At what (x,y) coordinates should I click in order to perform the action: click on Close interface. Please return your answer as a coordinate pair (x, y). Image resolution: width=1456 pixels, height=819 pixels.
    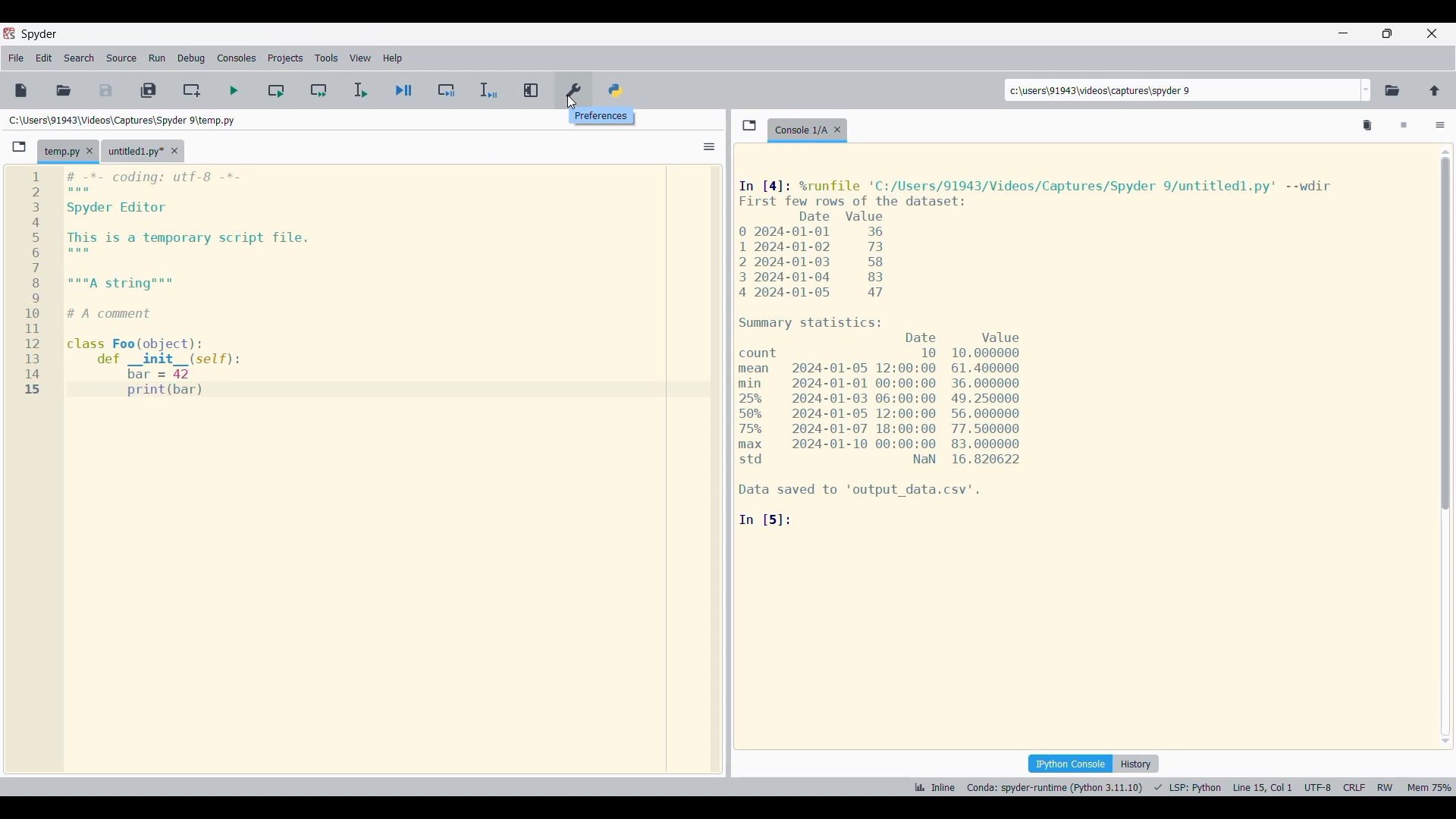
    Looking at the image, I should click on (1432, 33).